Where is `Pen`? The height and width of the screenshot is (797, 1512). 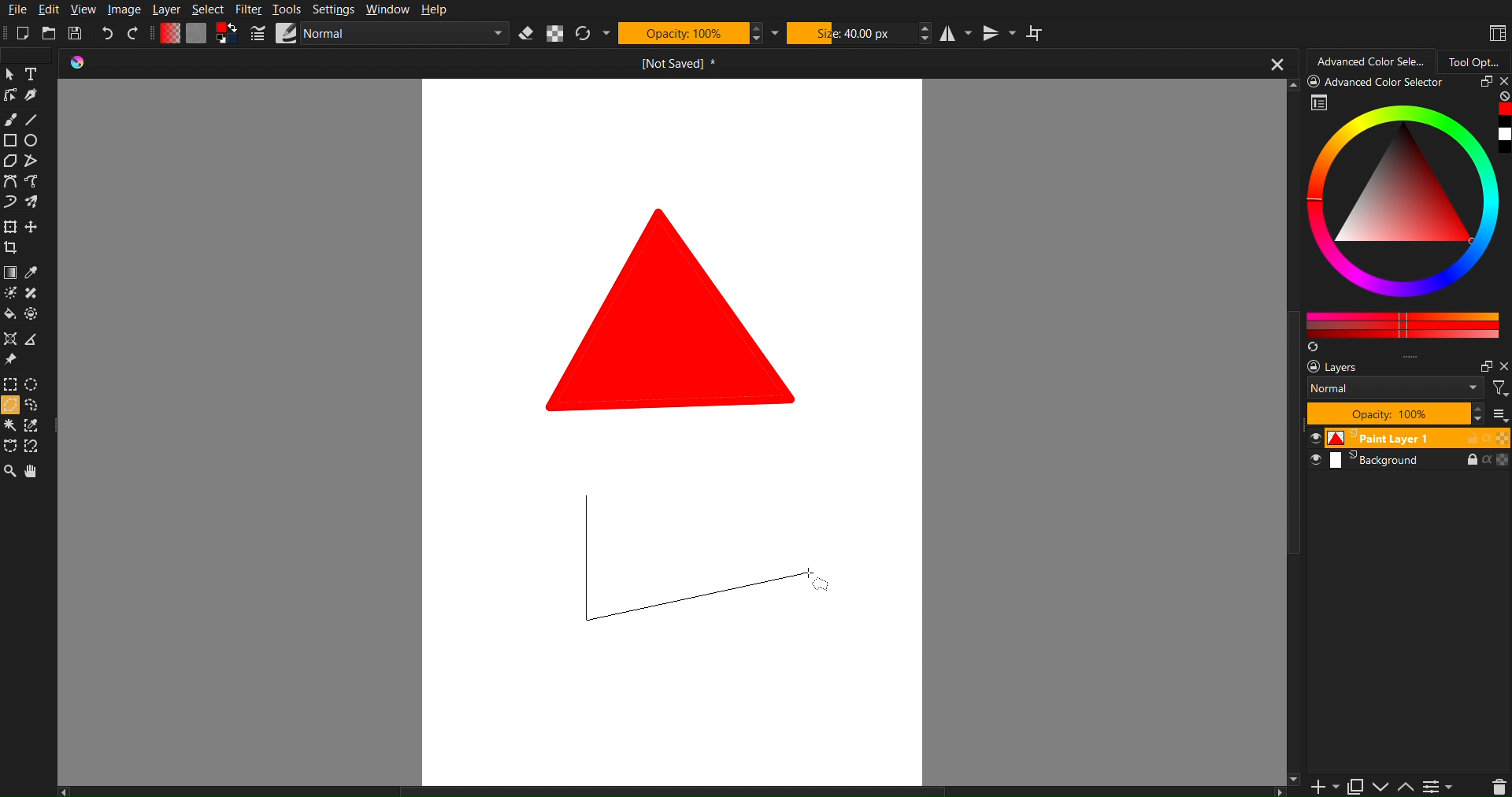
Pen is located at coordinates (32, 97).